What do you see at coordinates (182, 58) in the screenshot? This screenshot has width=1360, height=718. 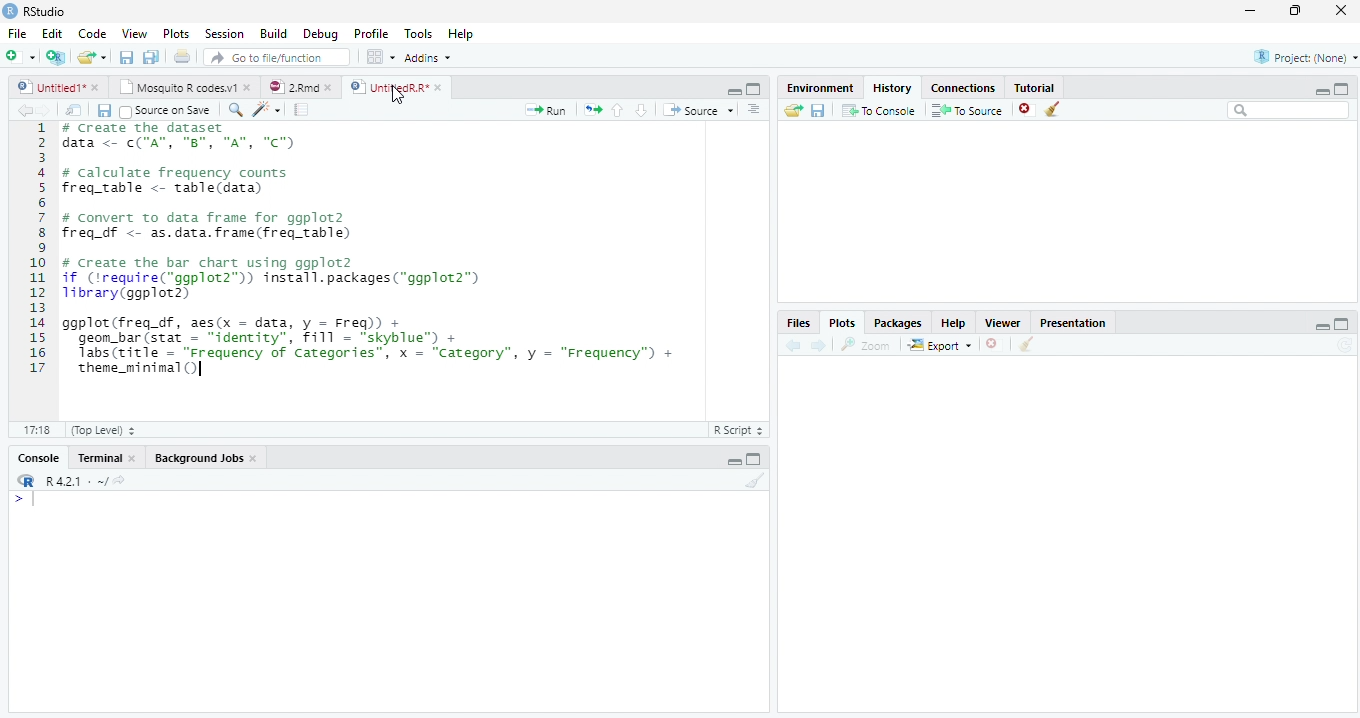 I see `Print` at bounding box center [182, 58].